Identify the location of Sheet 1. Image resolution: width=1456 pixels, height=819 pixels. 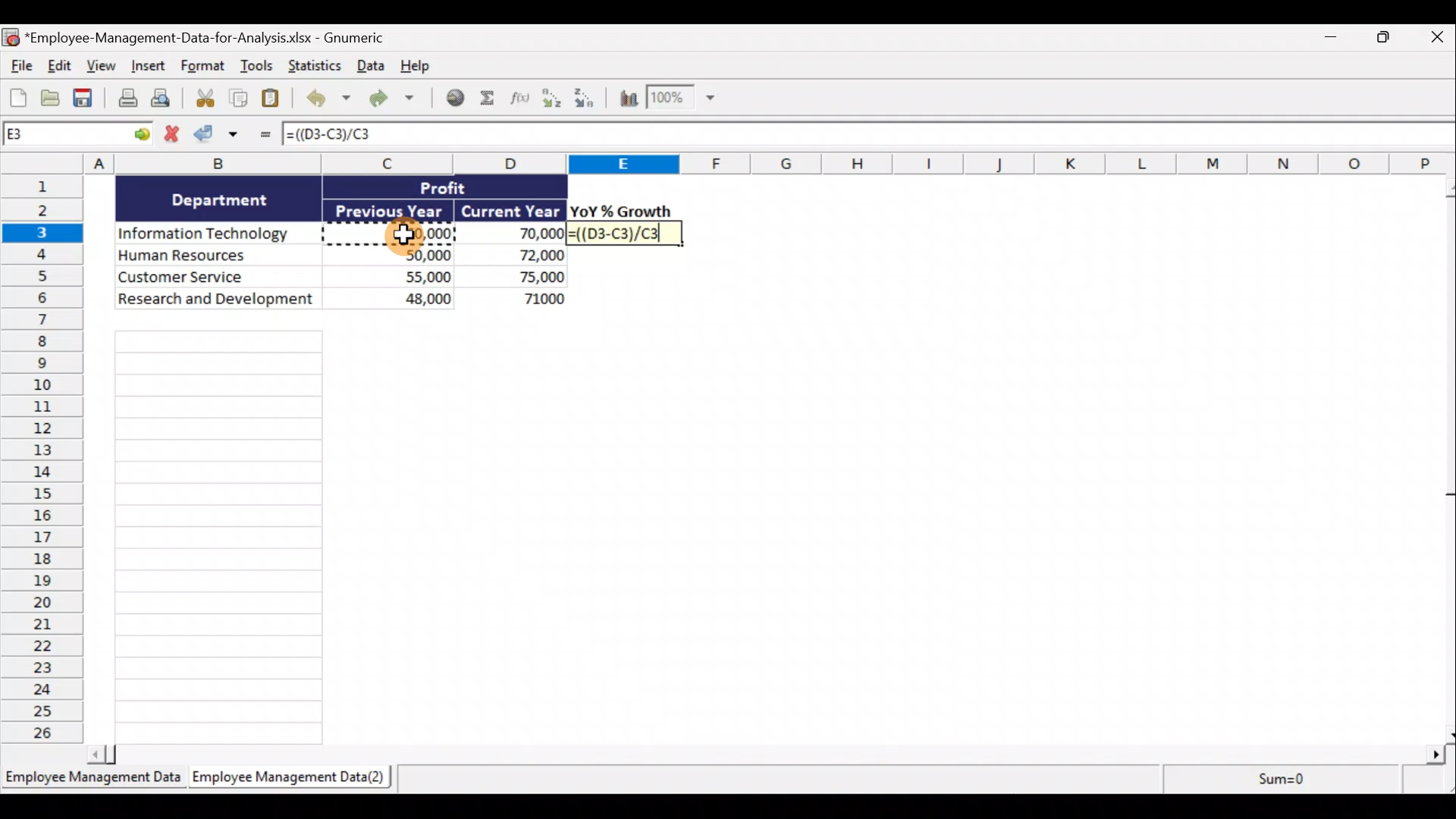
(91, 778).